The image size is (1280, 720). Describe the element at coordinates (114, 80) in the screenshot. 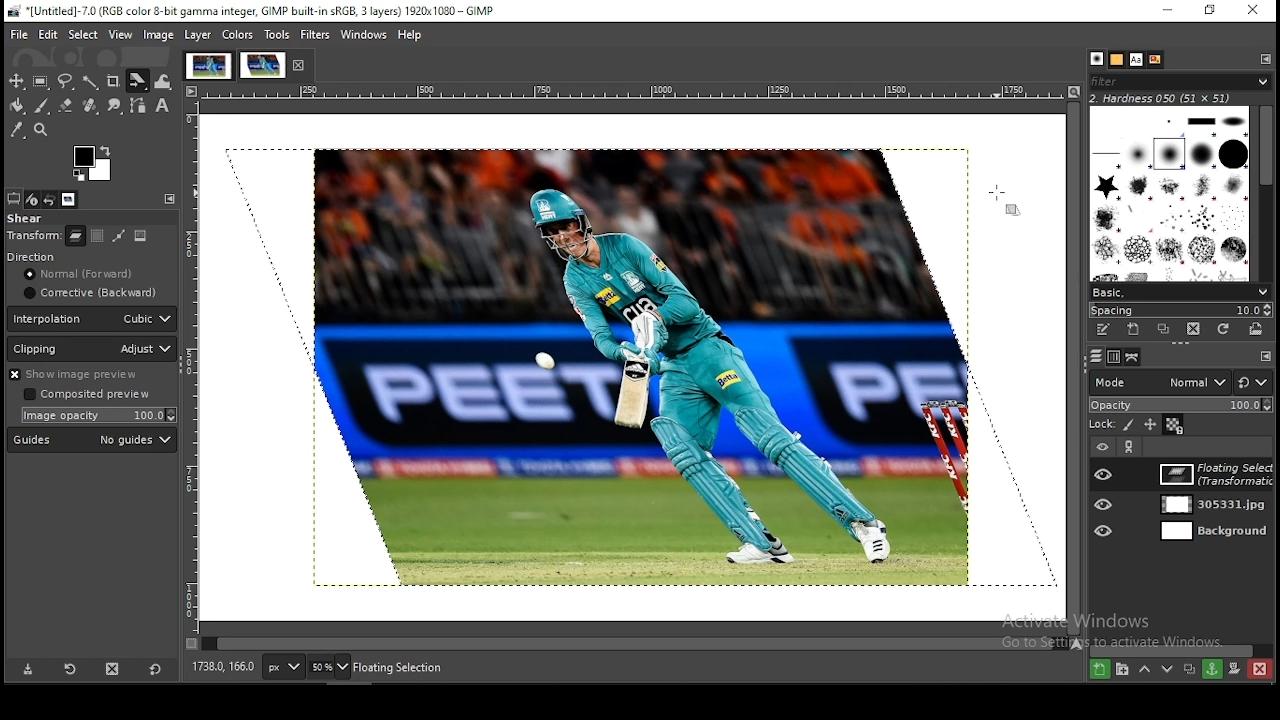

I see `crop` at that location.